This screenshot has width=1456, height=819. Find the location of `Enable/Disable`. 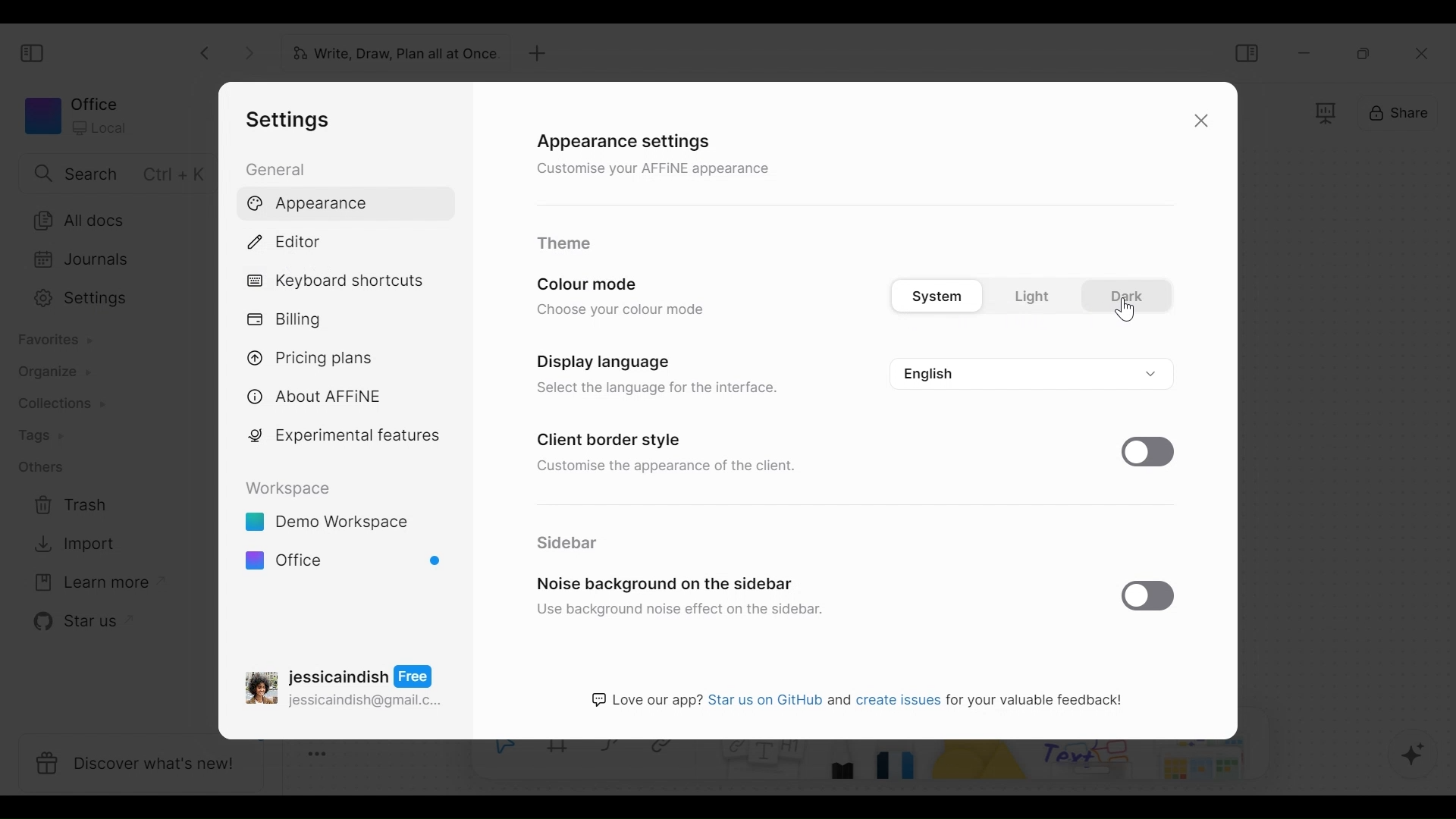

Enable/Disable is located at coordinates (1148, 450).